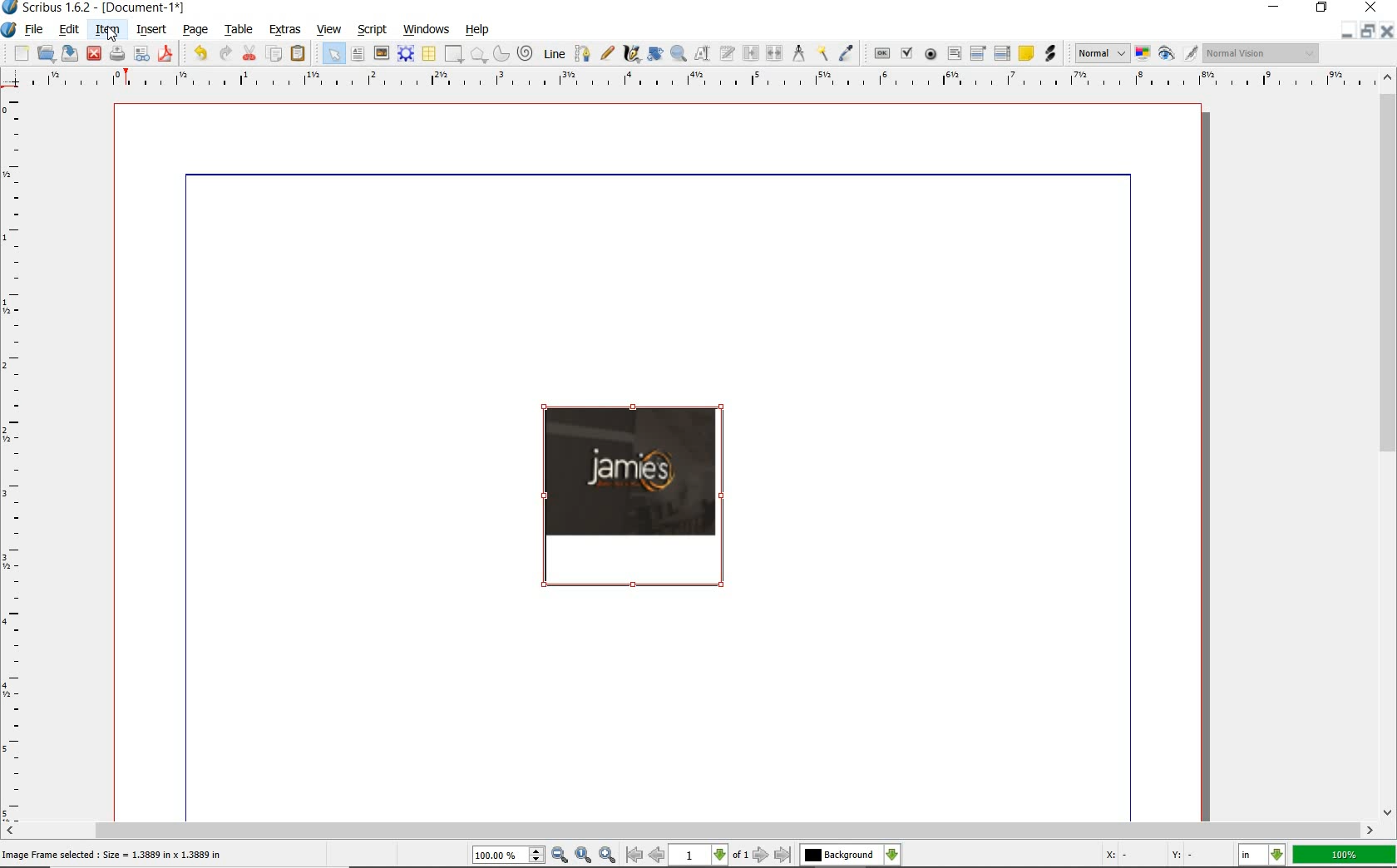  What do you see at coordinates (373, 29) in the screenshot?
I see `script` at bounding box center [373, 29].